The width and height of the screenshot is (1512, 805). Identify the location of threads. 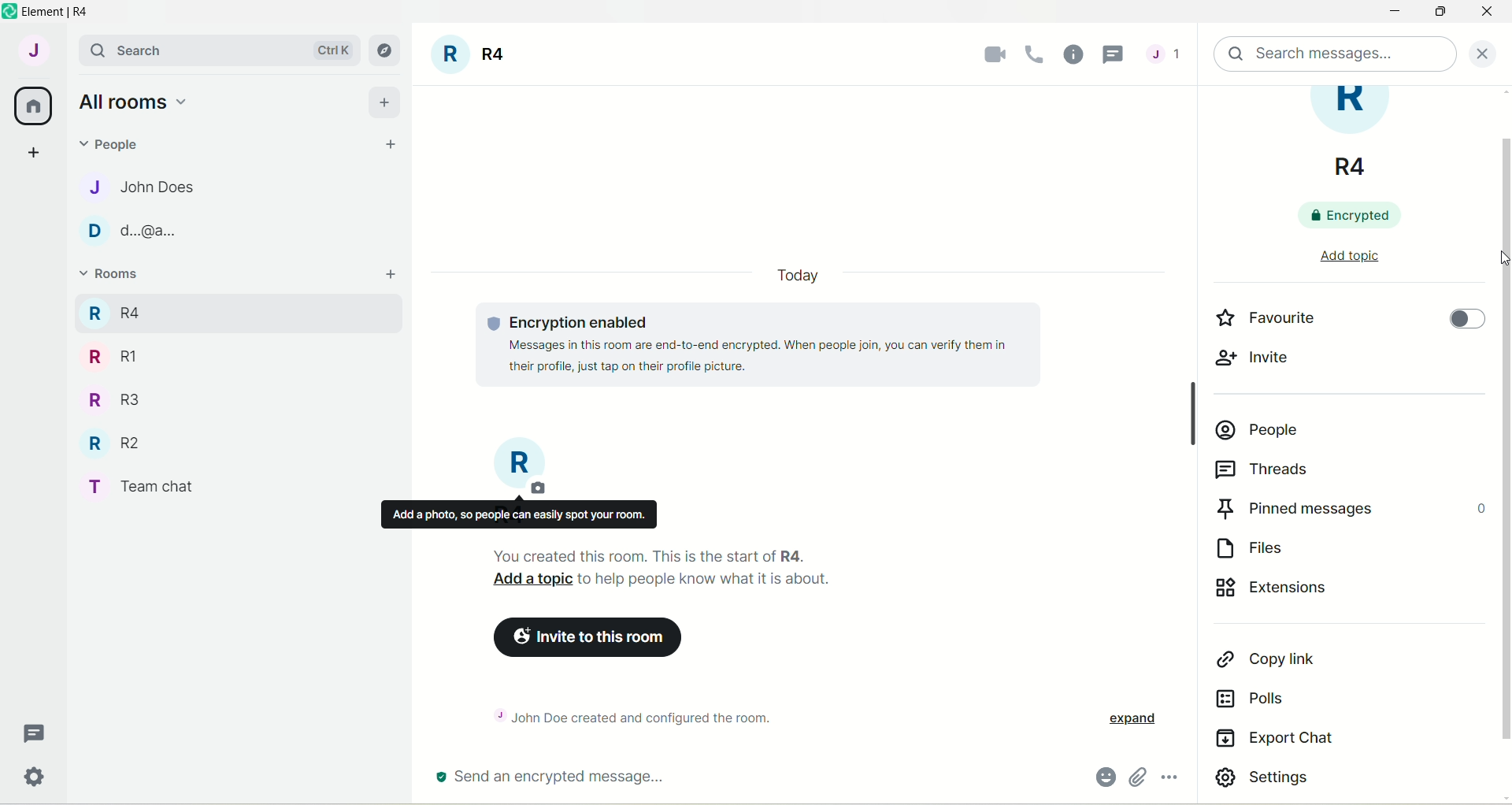
(1164, 57).